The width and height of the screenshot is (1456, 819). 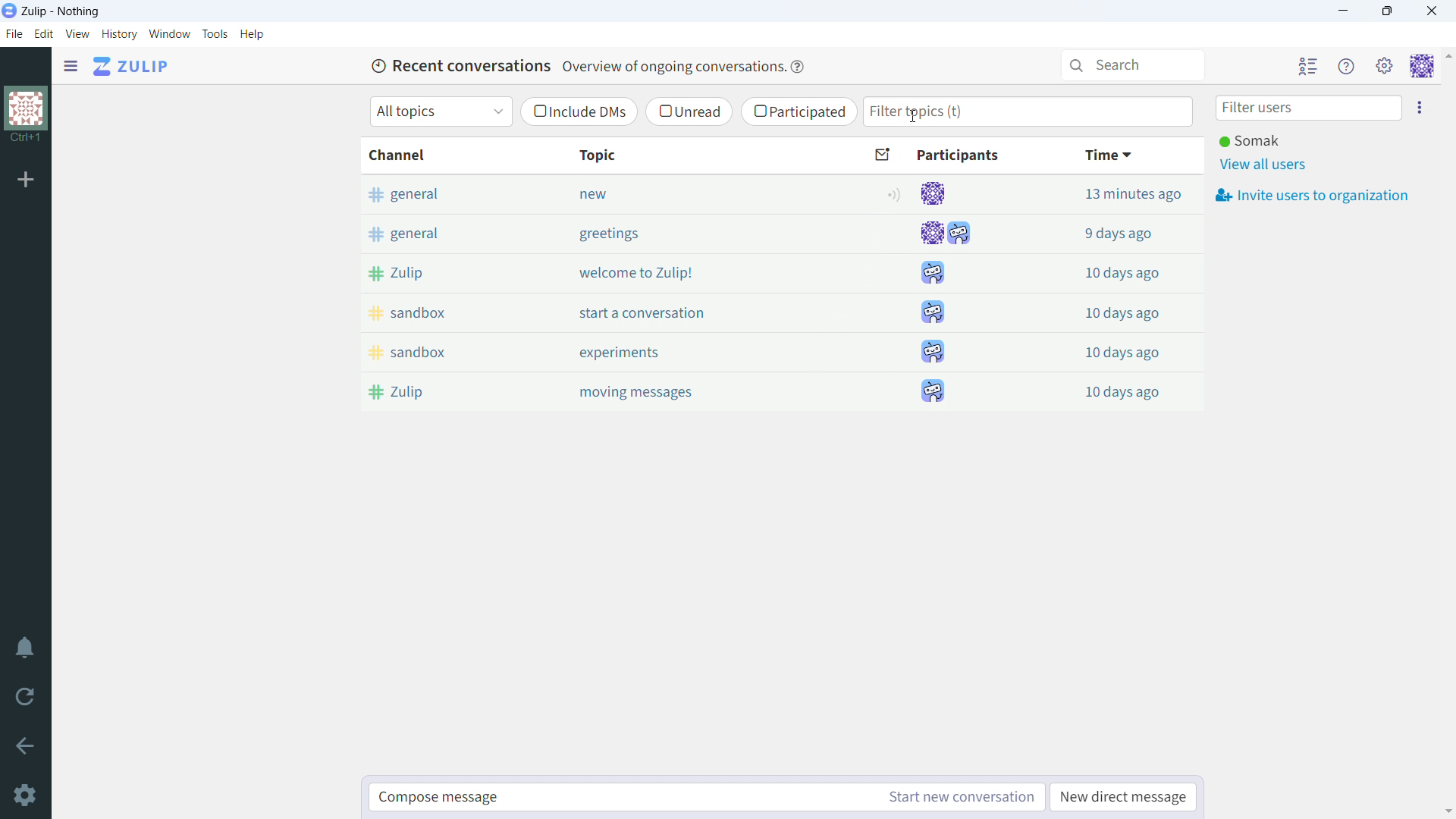 I want to click on active status, so click(x=896, y=194).